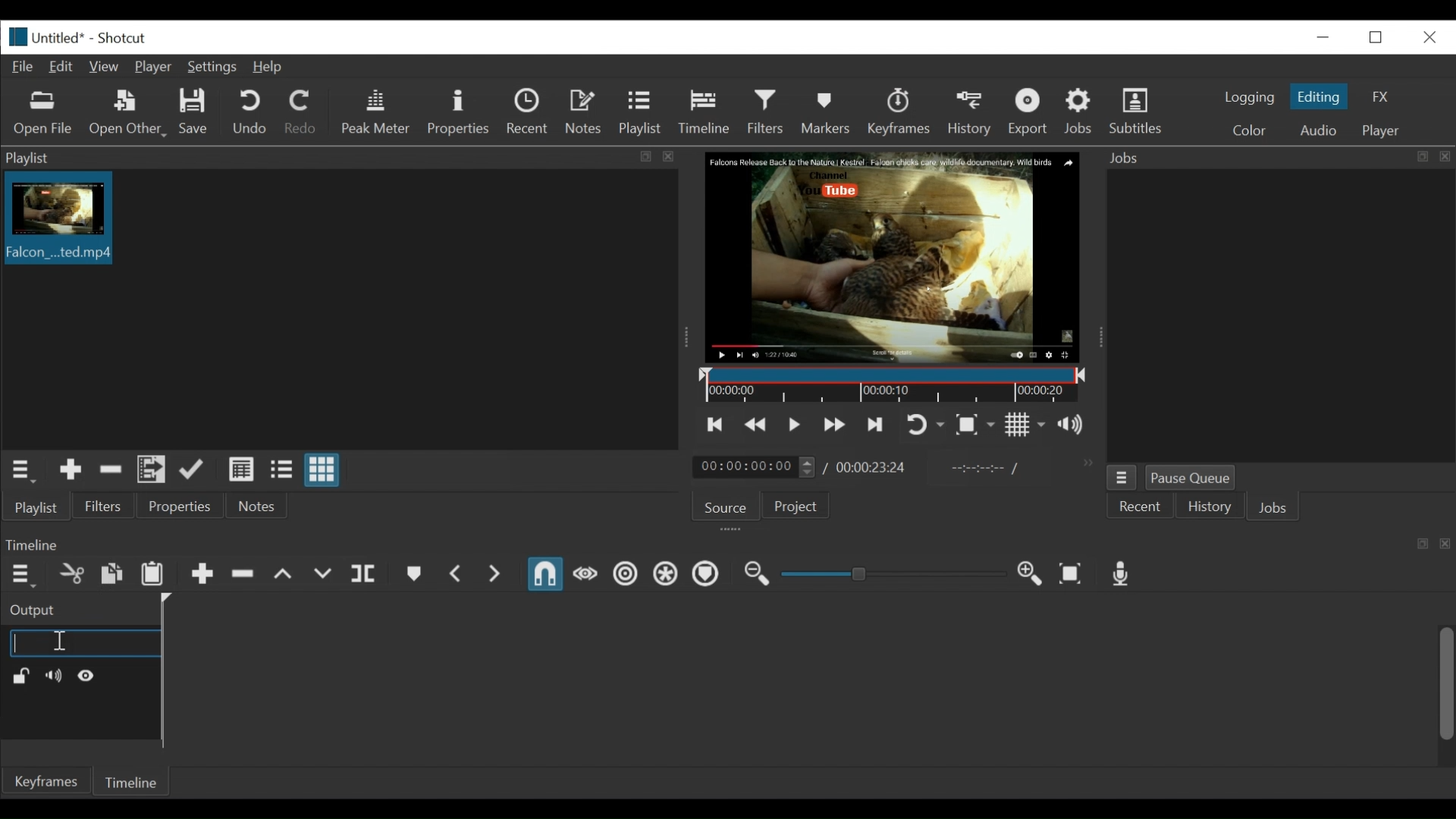 The image size is (1456, 819). What do you see at coordinates (284, 573) in the screenshot?
I see `Lift` at bounding box center [284, 573].